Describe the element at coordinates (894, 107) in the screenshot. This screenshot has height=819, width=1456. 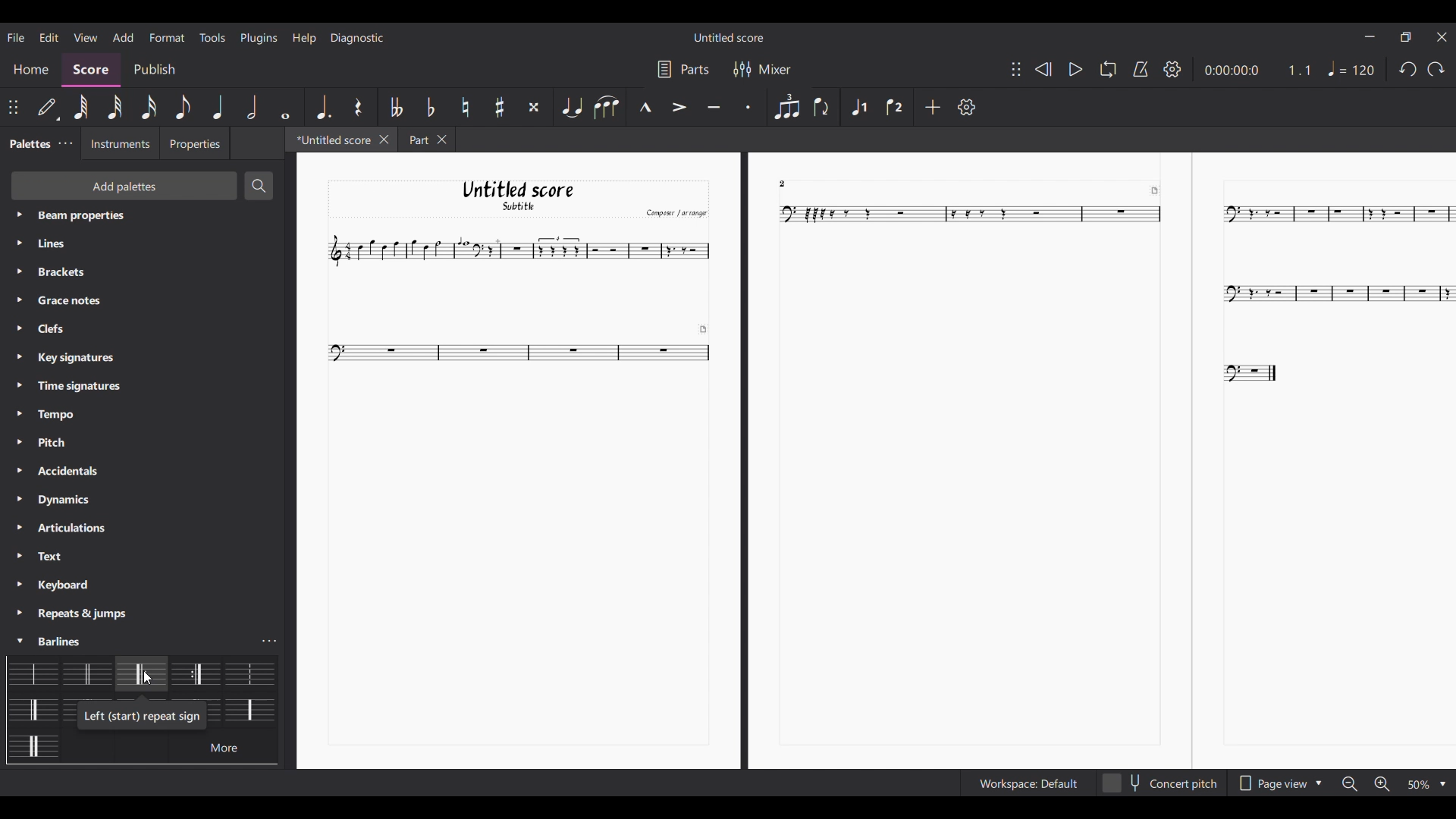
I see `Voice 2` at that location.